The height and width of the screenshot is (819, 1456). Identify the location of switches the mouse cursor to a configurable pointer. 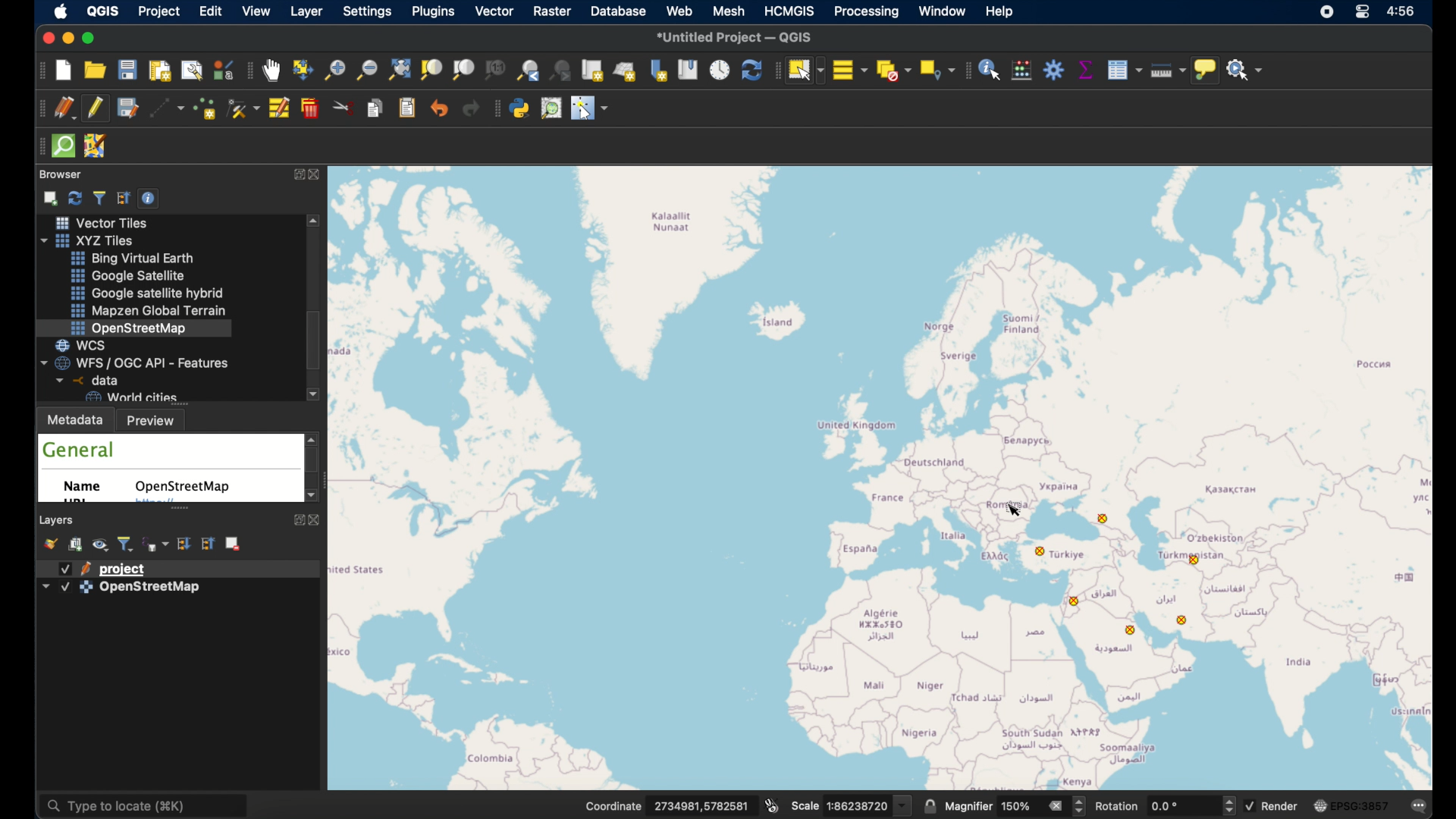
(590, 108).